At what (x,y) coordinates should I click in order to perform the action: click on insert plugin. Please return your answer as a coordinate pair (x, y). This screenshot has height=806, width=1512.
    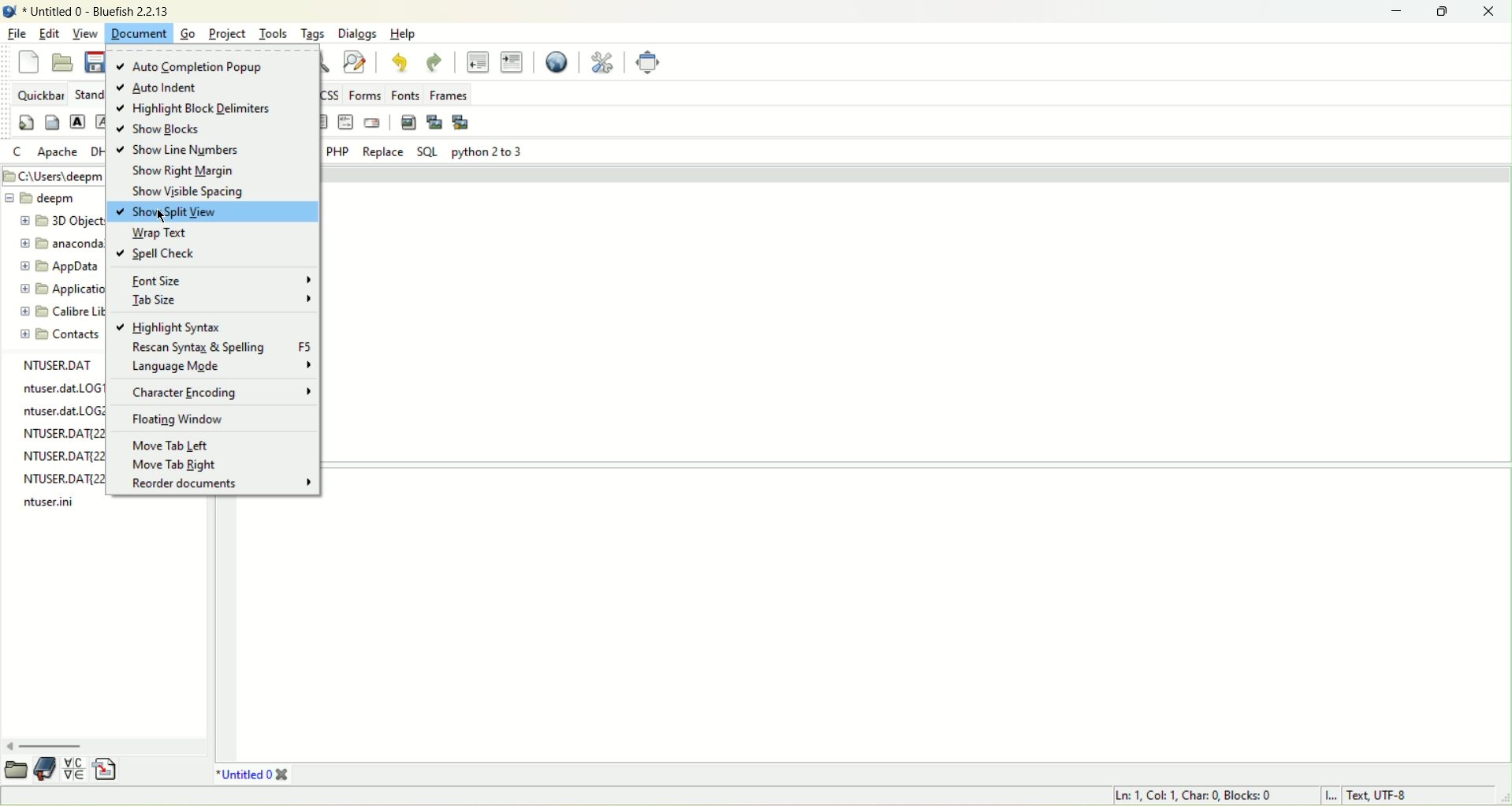
    Looking at the image, I should click on (438, 122).